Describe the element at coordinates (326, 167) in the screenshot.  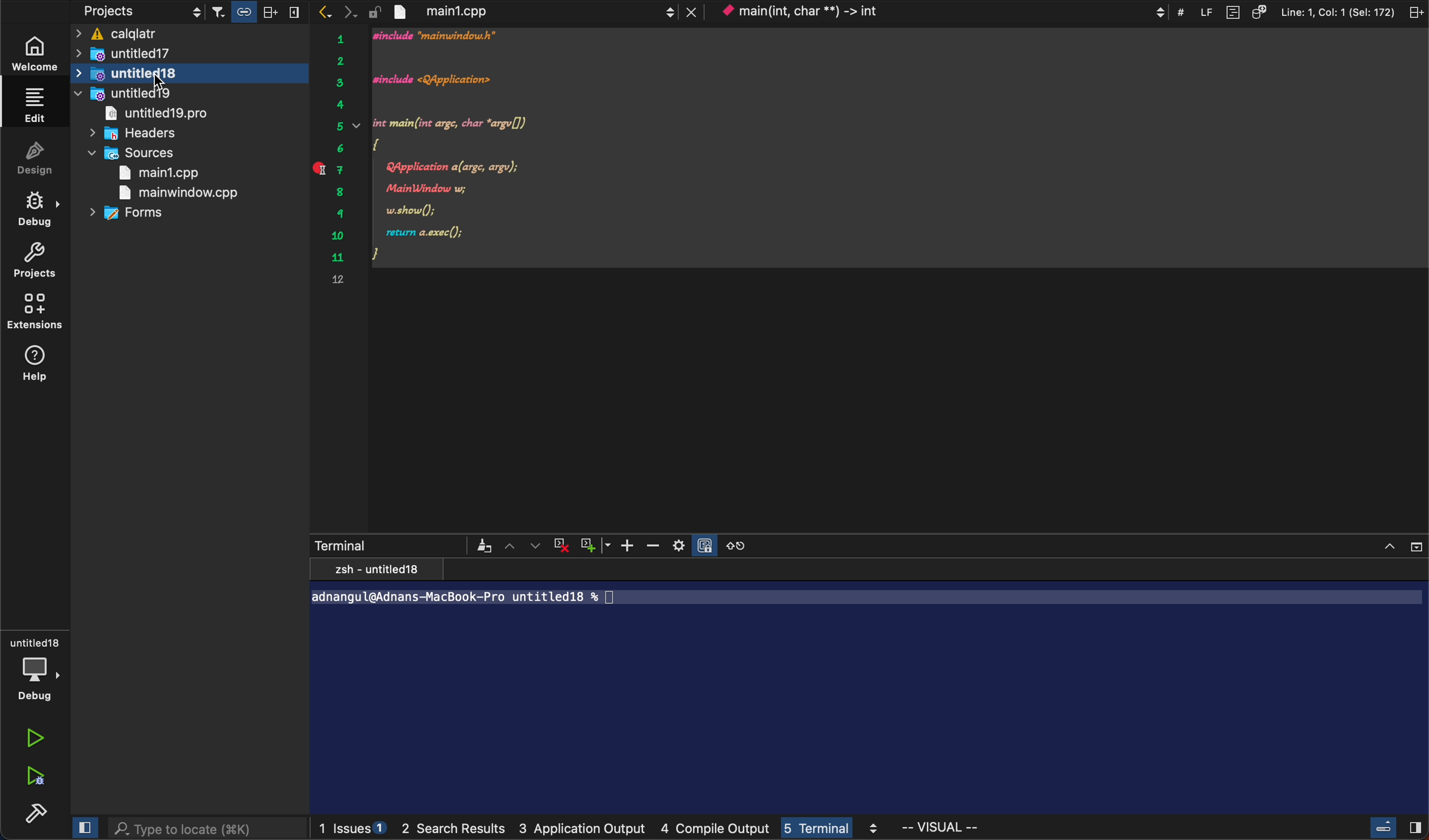
I see `end point` at that location.